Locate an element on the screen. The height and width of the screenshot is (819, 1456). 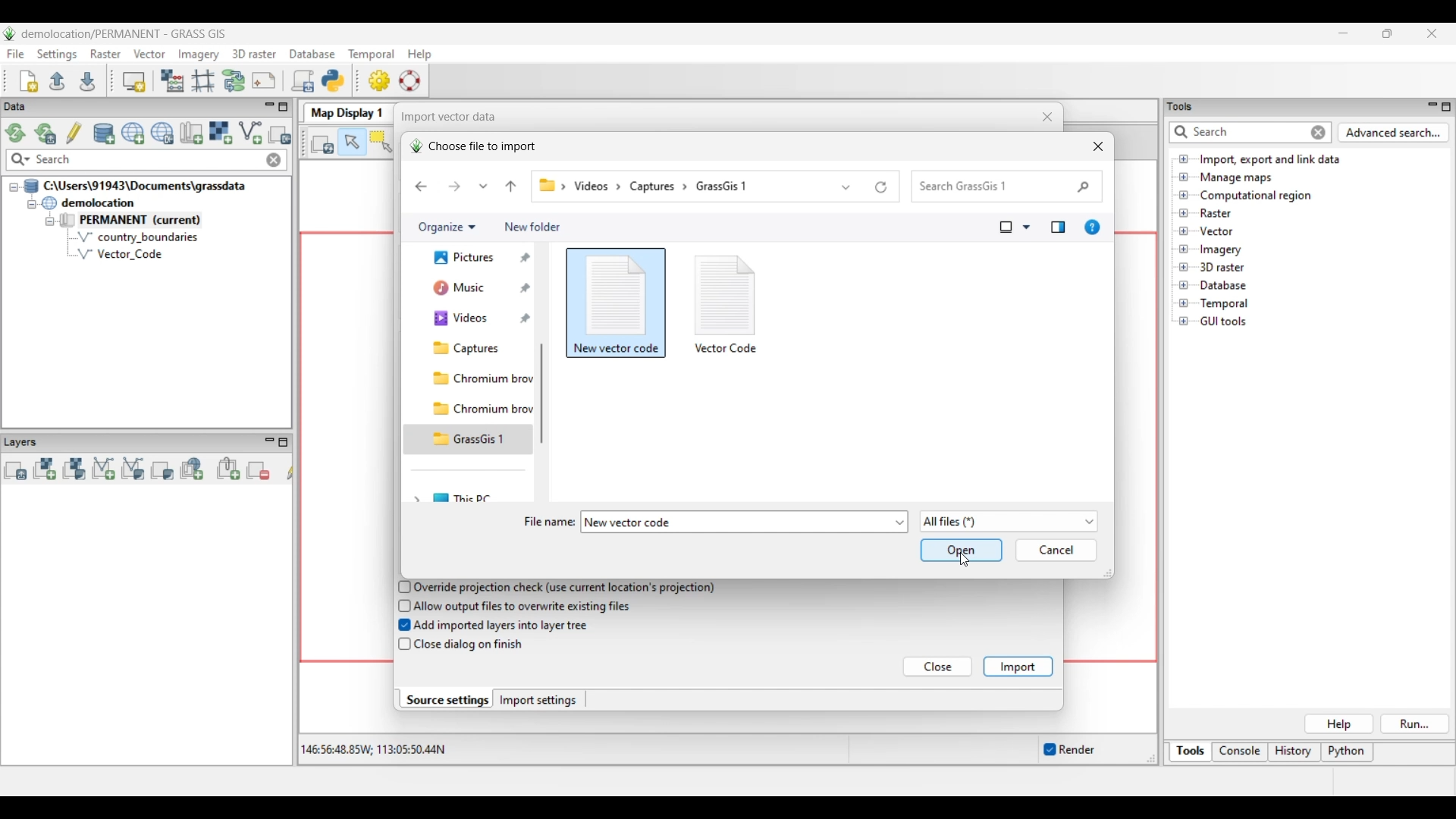
Current/Gallery folder is located at coordinates (469, 293).